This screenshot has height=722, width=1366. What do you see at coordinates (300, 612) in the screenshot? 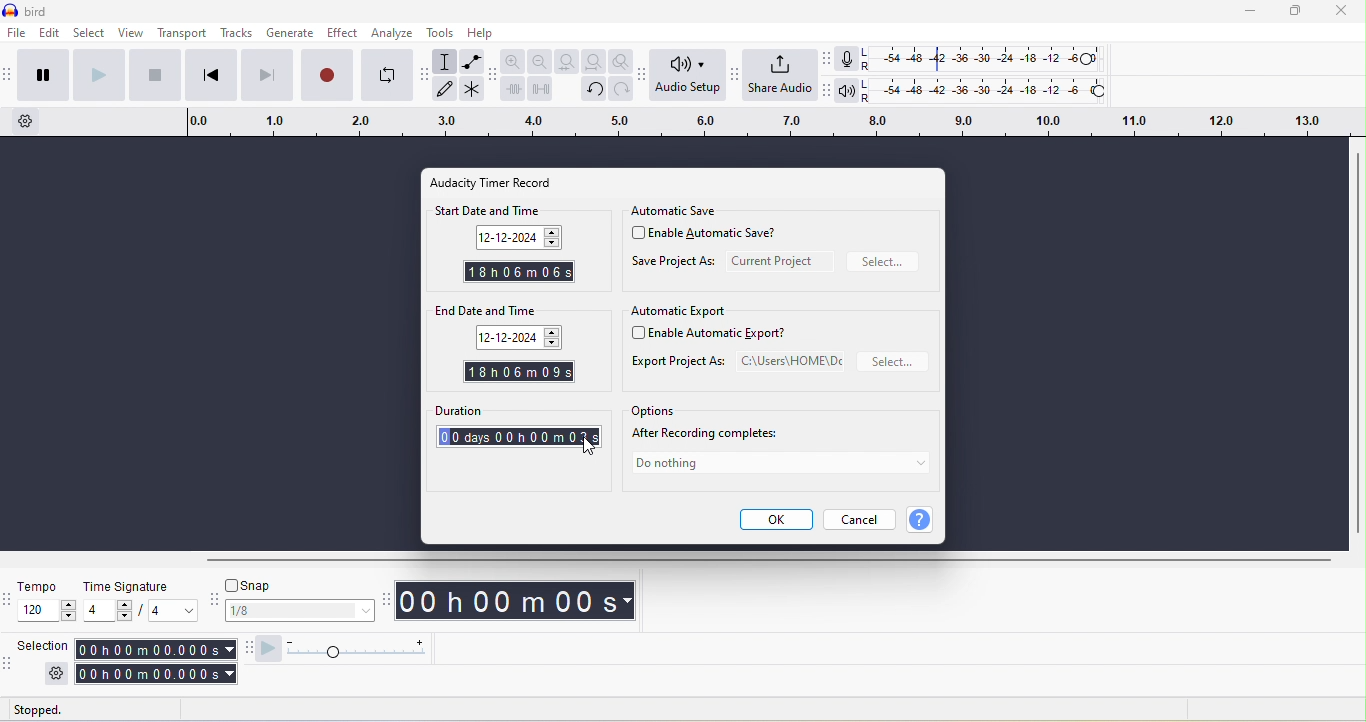
I see `1/8` at bounding box center [300, 612].